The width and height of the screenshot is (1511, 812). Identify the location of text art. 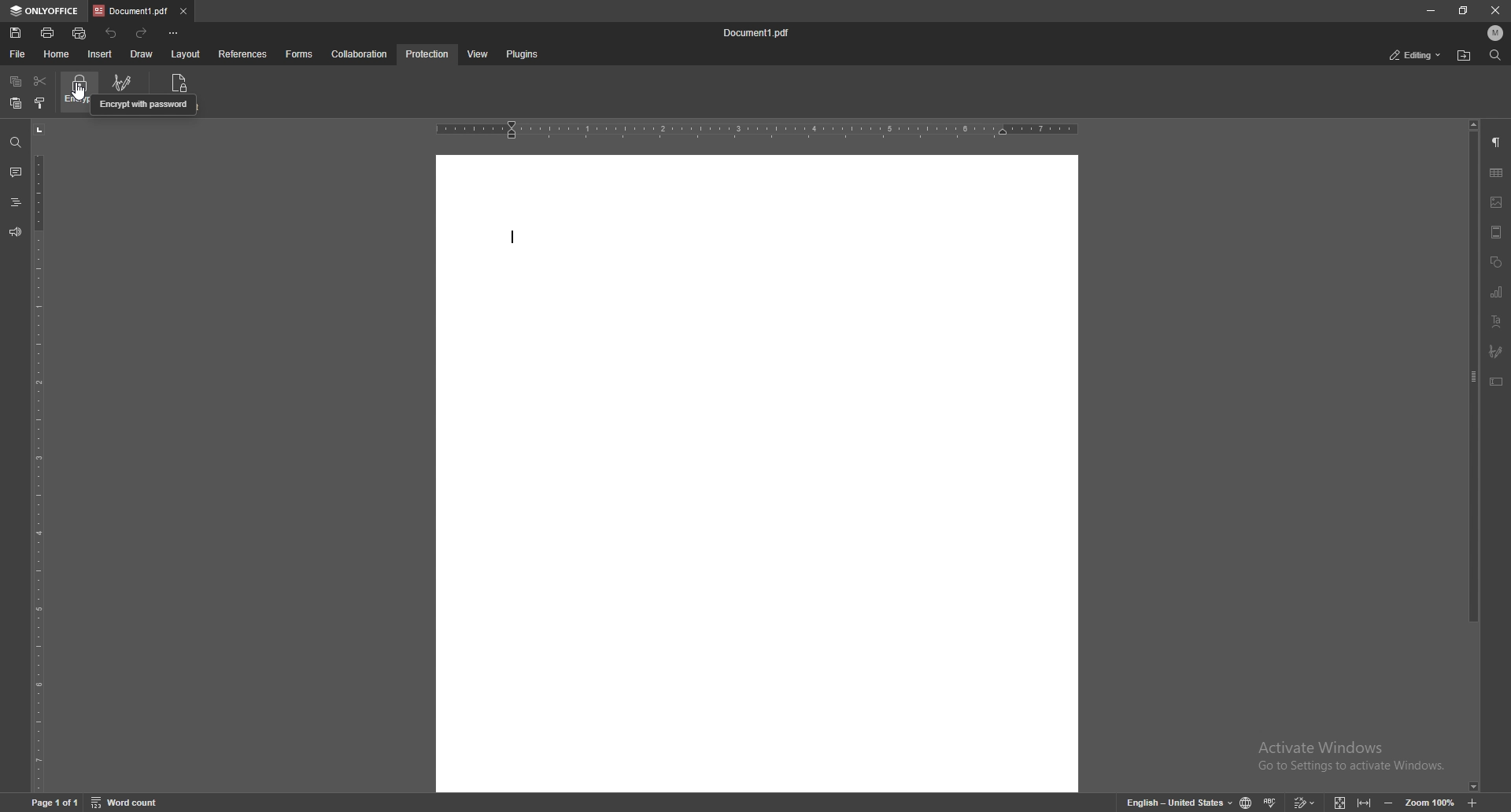
(1498, 321).